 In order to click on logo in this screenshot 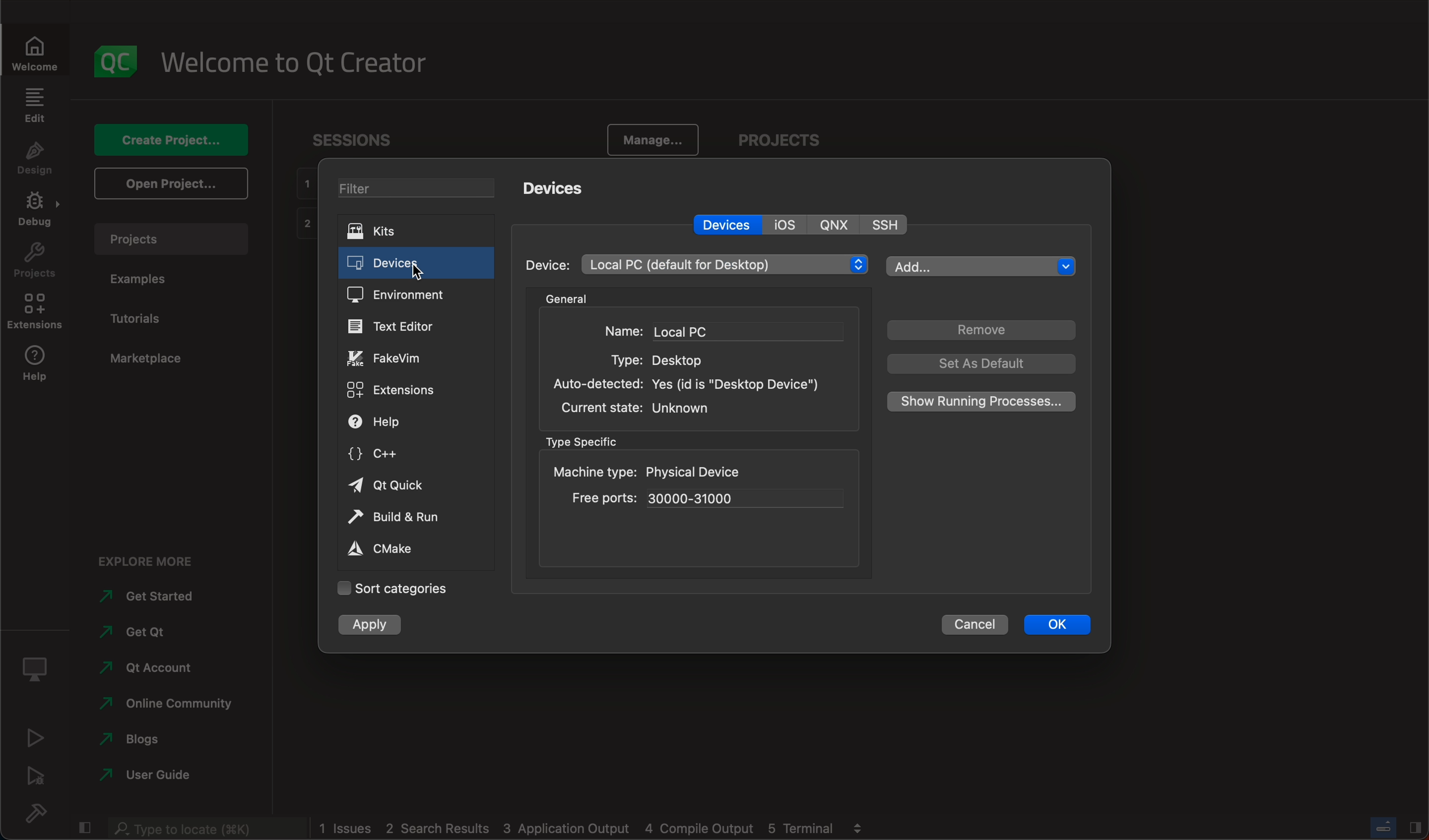, I will do `click(117, 59)`.